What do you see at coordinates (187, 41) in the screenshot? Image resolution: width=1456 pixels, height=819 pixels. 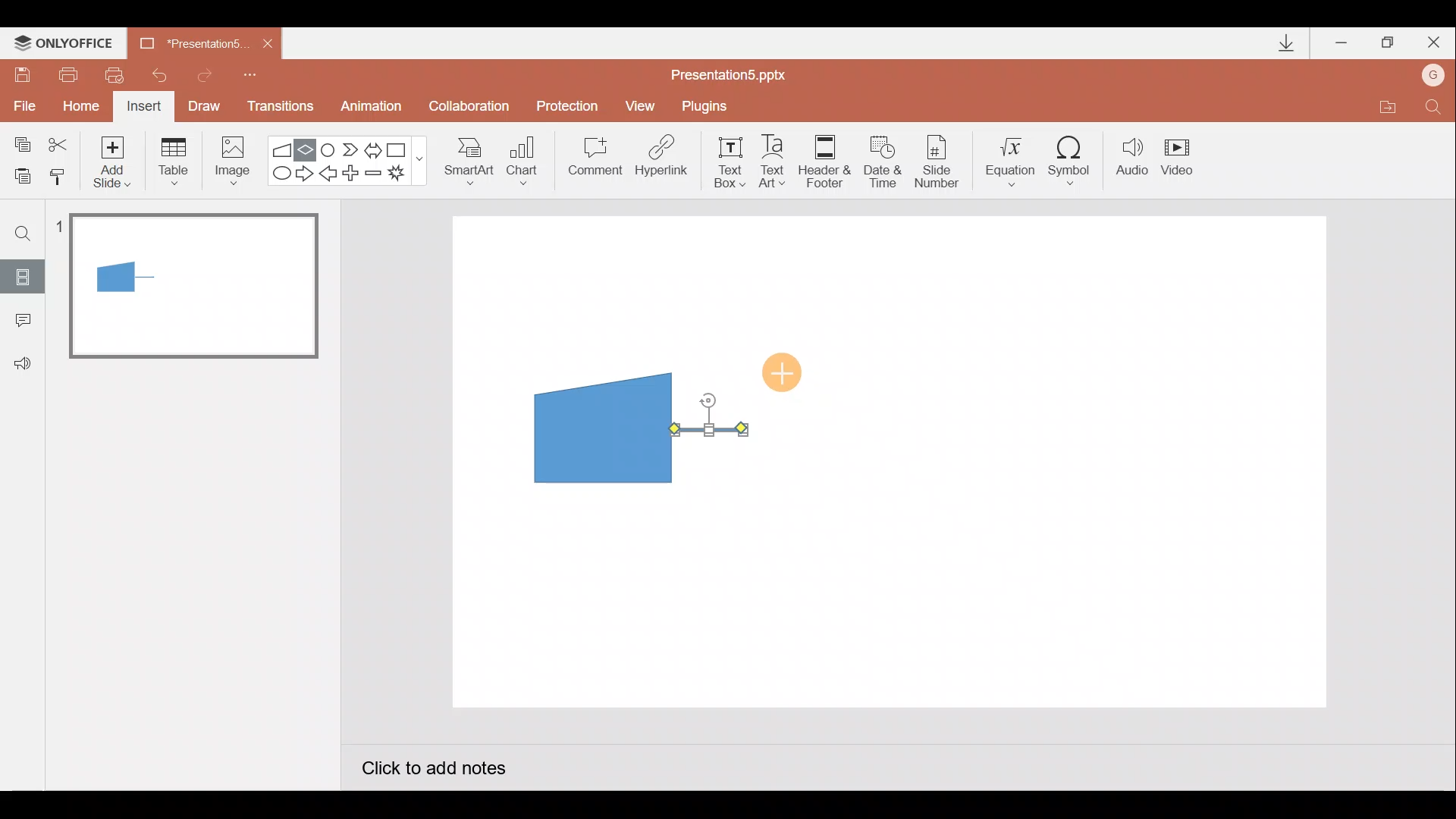 I see `Presentation5.` at bounding box center [187, 41].